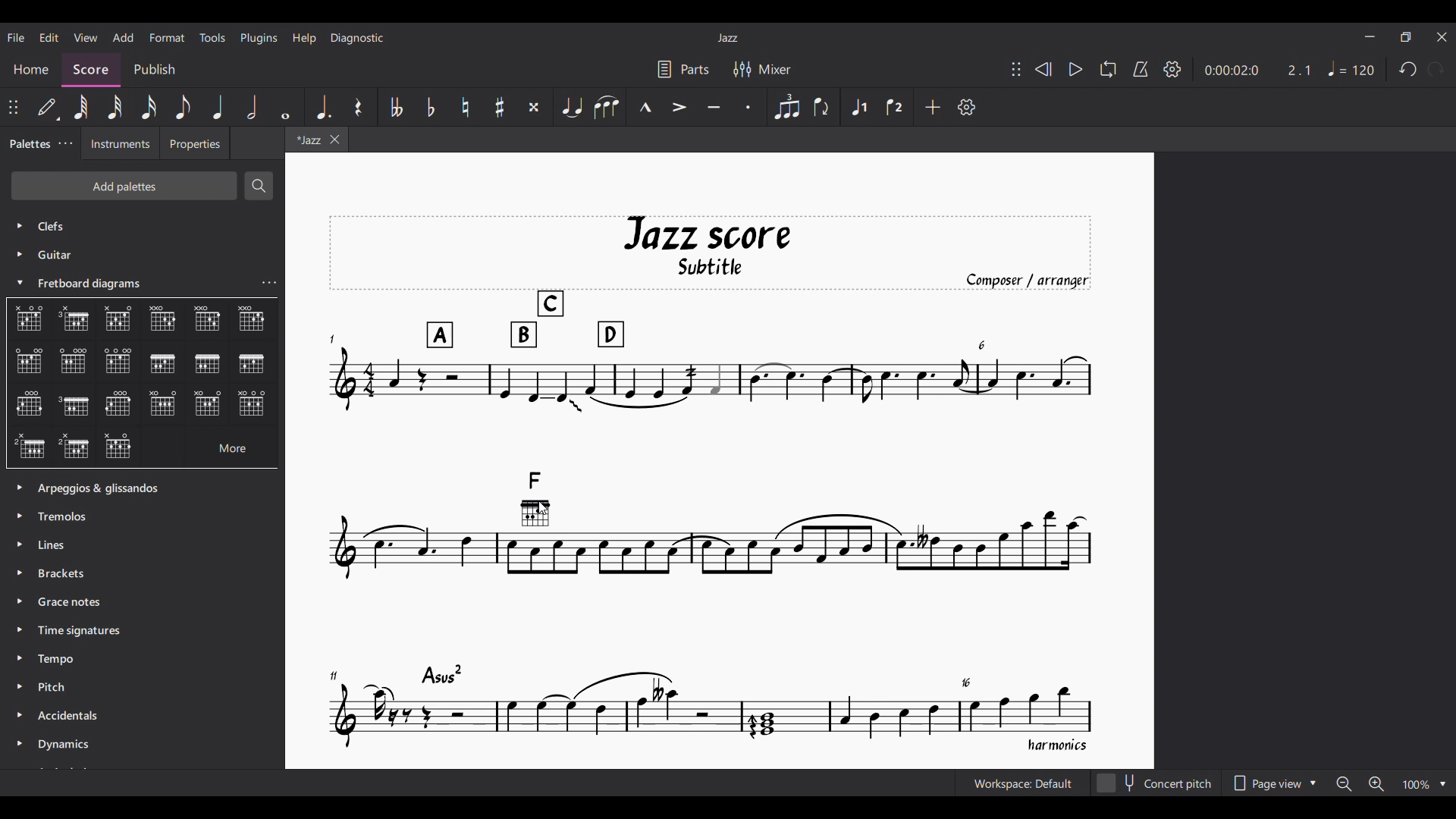 This screenshot has height=819, width=1456. I want to click on Diagnostic menu, so click(357, 38).